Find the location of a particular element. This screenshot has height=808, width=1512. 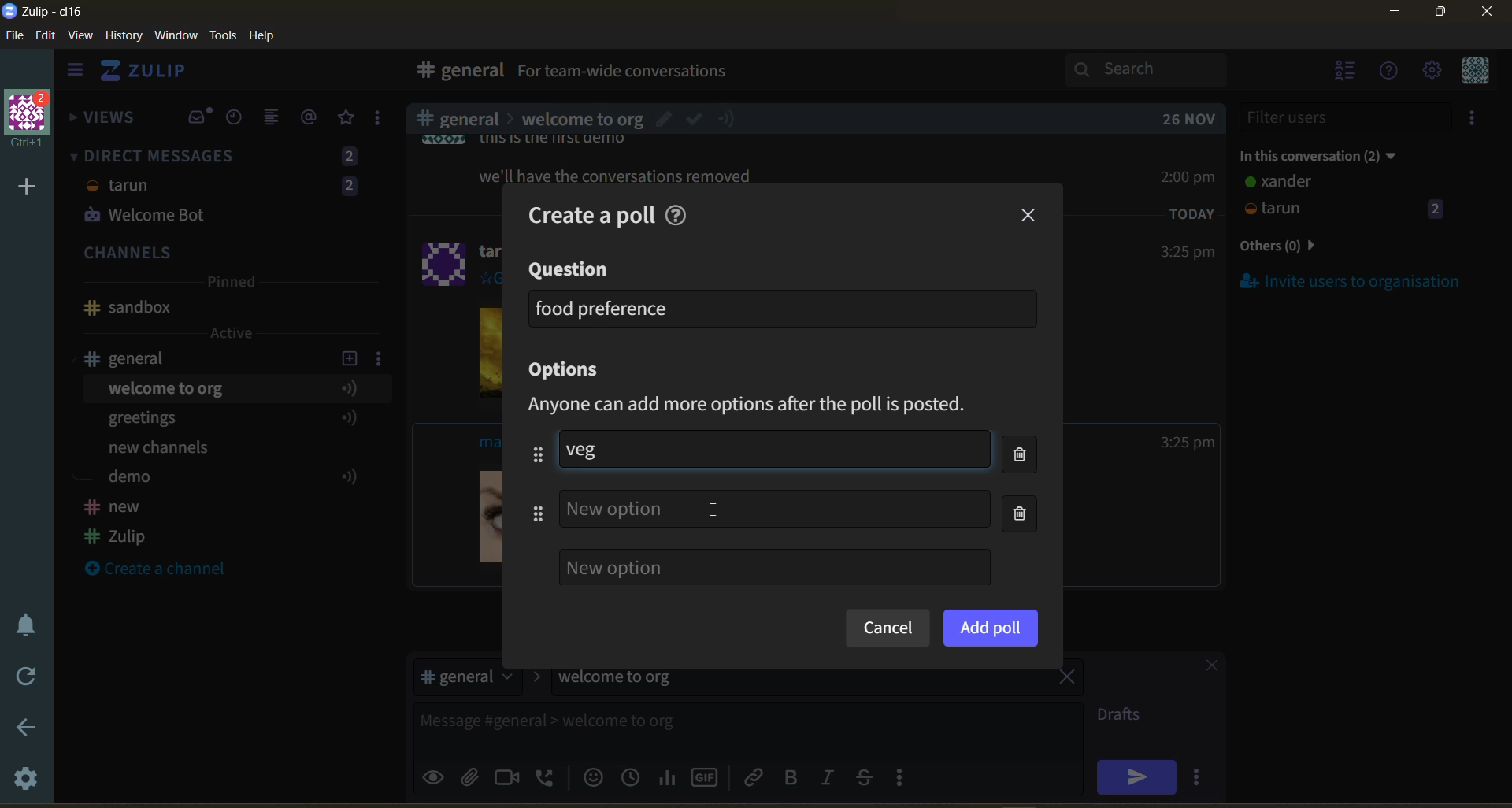

upload files is located at coordinates (475, 775).